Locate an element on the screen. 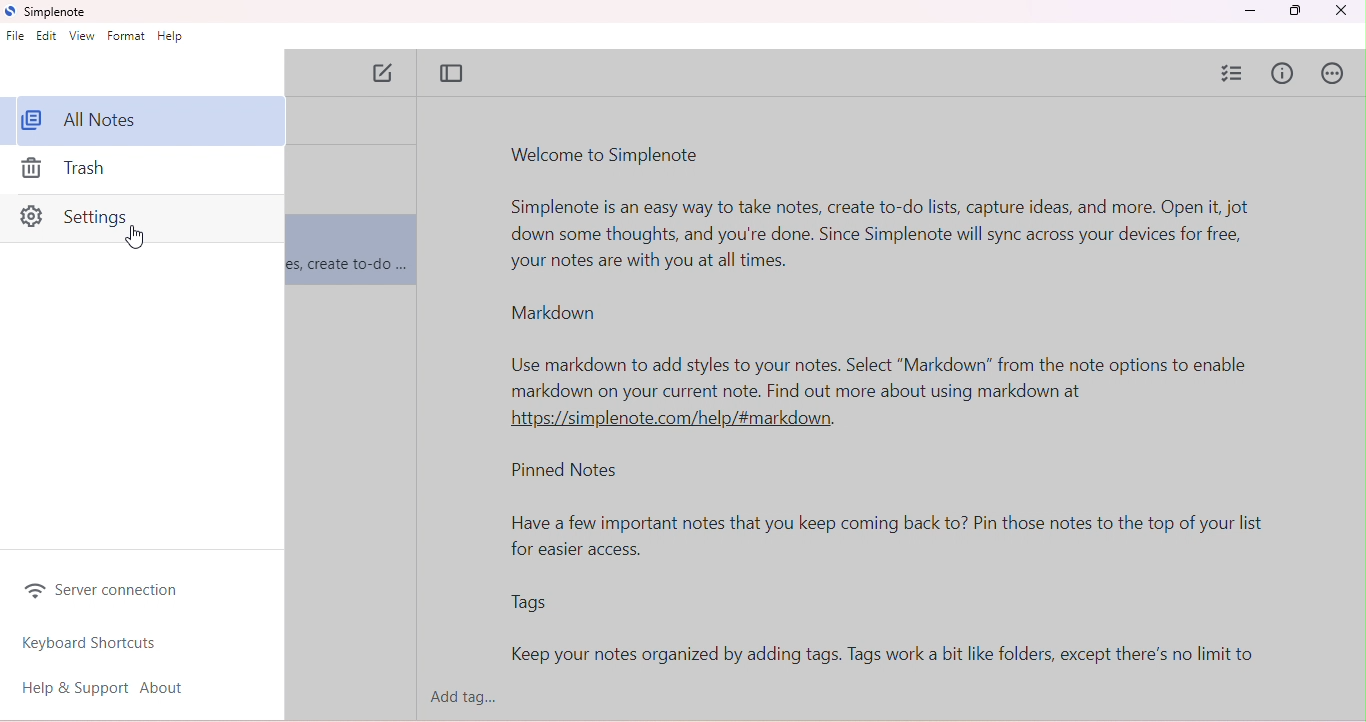  welcome to simplenote is located at coordinates (608, 155).